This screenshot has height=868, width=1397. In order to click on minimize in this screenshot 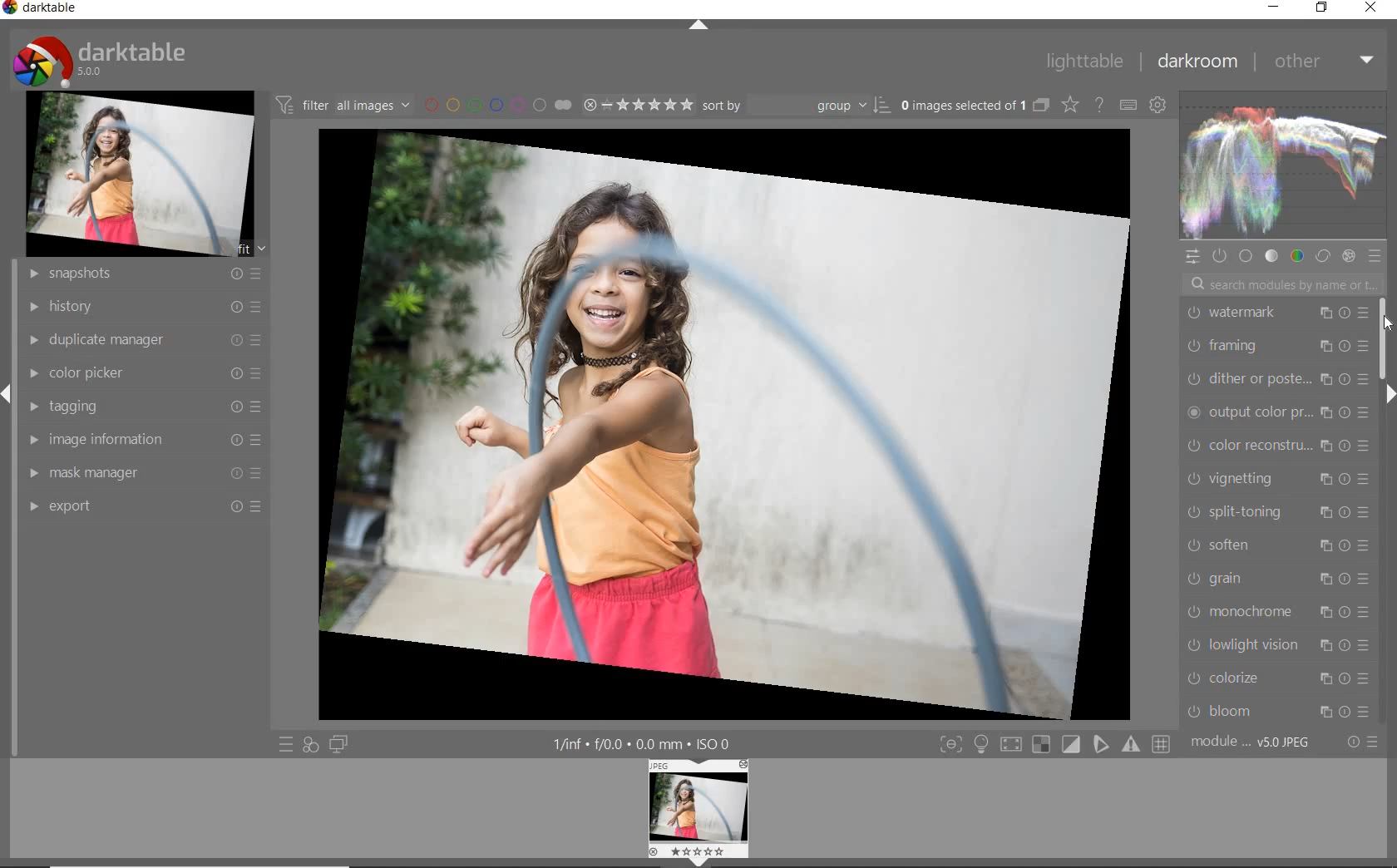, I will do `click(1272, 7)`.